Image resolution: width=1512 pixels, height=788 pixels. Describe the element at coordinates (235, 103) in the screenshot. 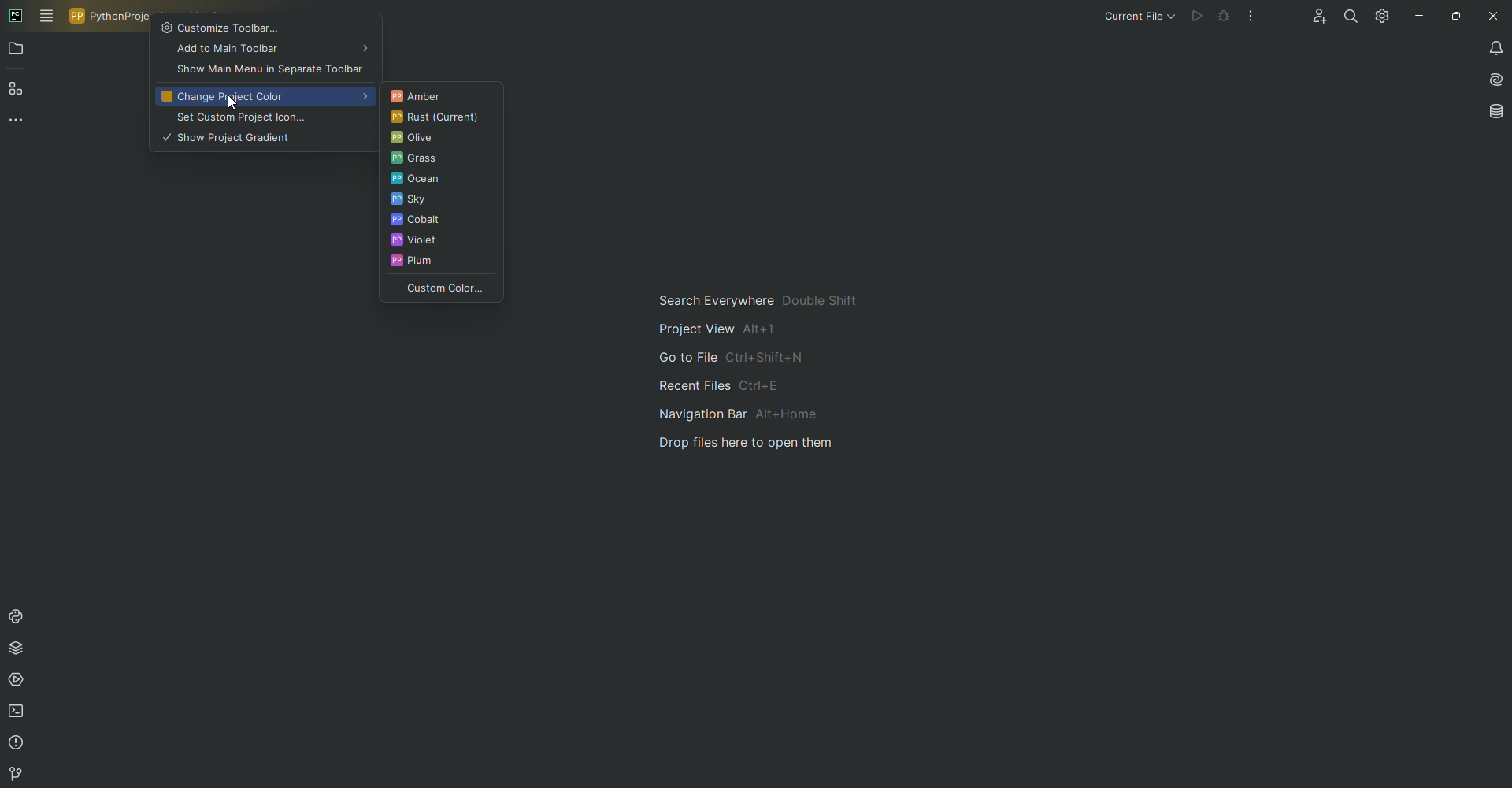

I see `cursor` at that location.